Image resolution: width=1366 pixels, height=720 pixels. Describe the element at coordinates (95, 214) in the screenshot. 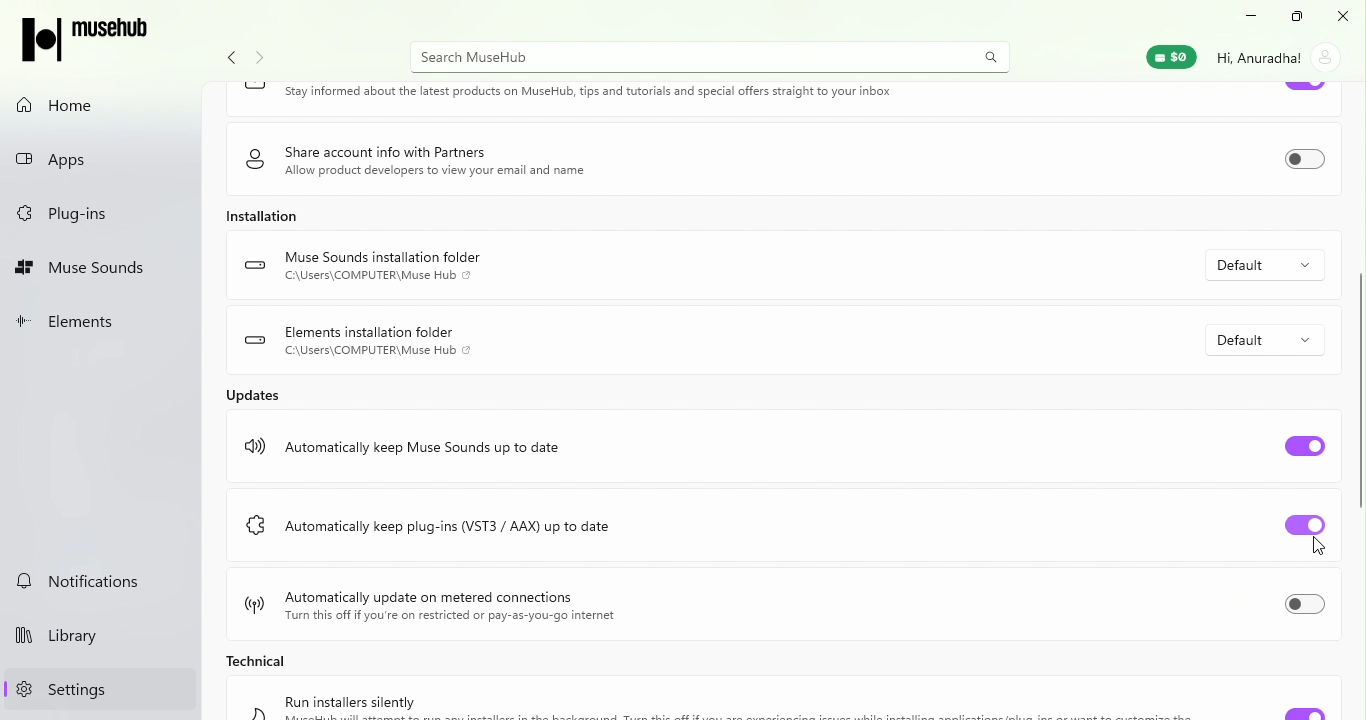

I see `Plug-ins` at that location.